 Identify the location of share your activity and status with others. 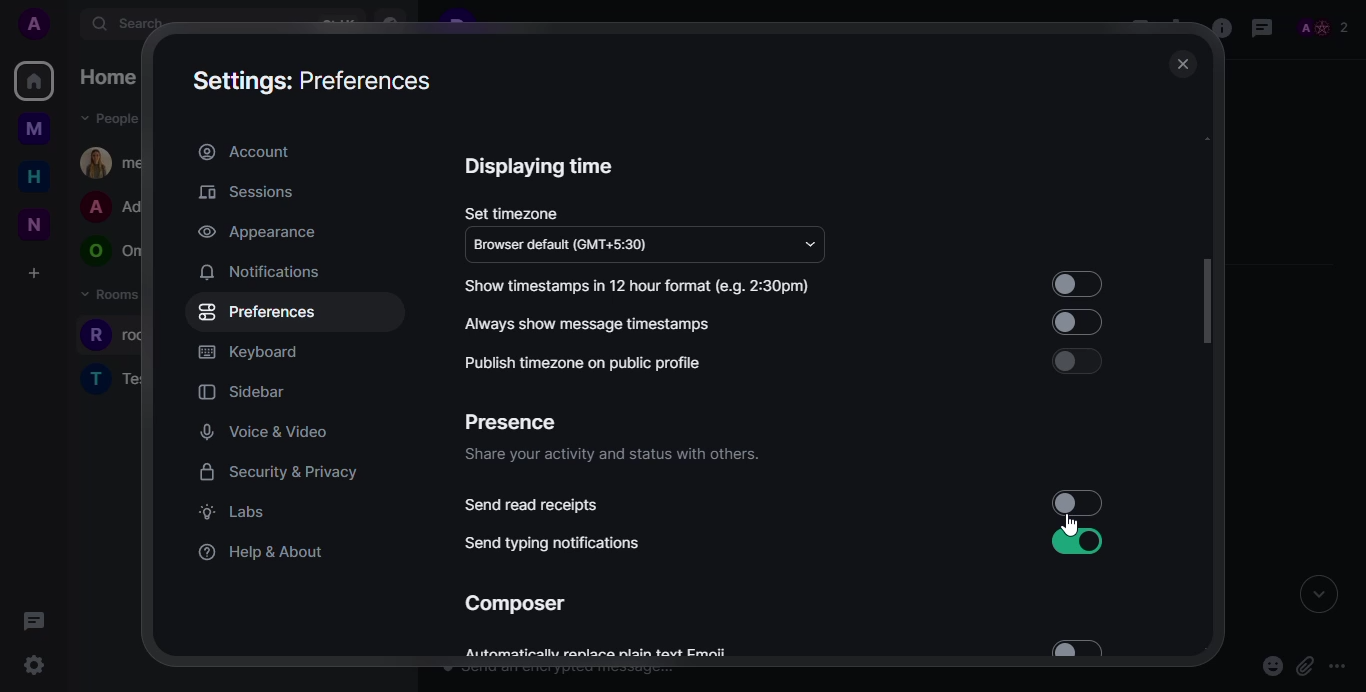
(610, 454).